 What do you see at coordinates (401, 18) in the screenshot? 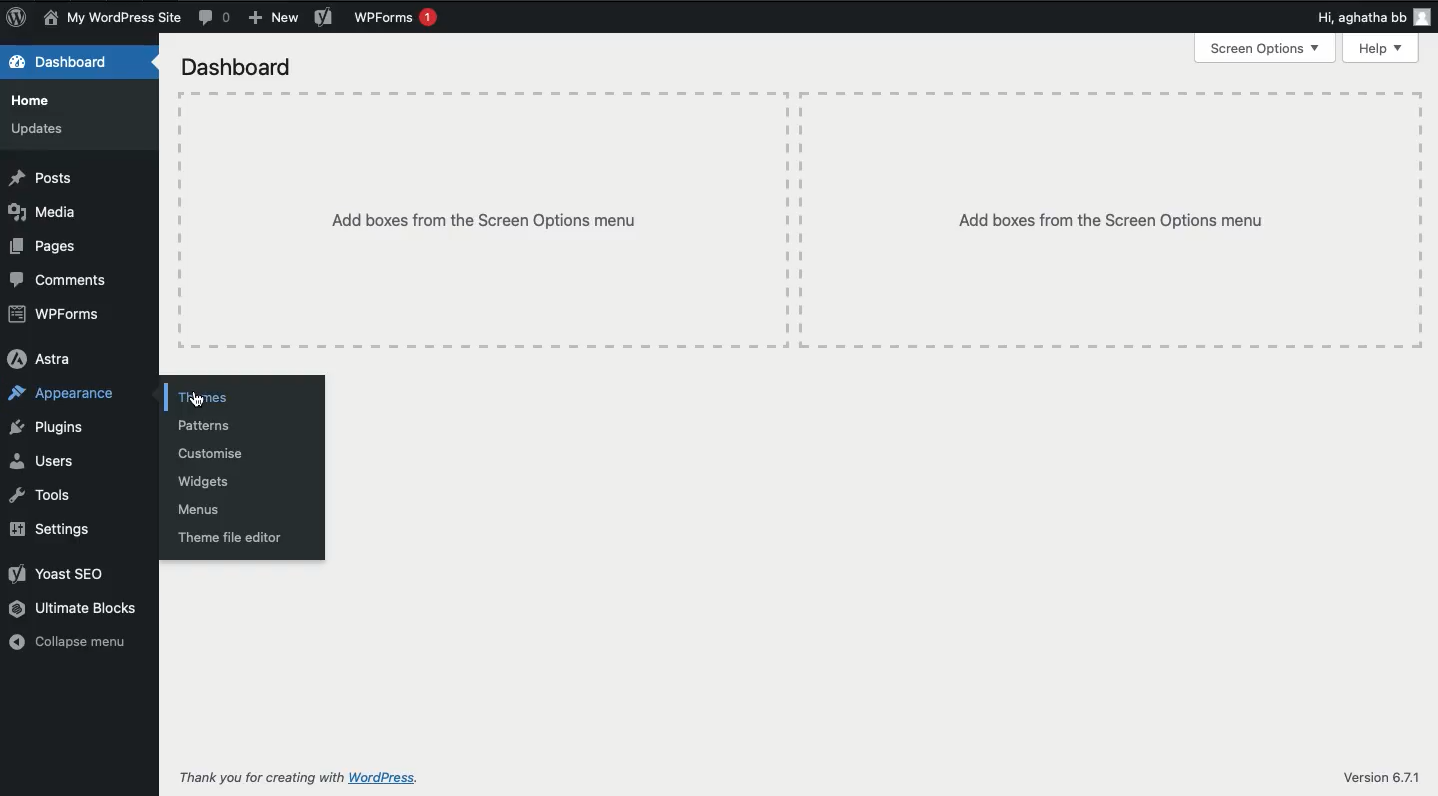
I see `WPForms` at bounding box center [401, 18].